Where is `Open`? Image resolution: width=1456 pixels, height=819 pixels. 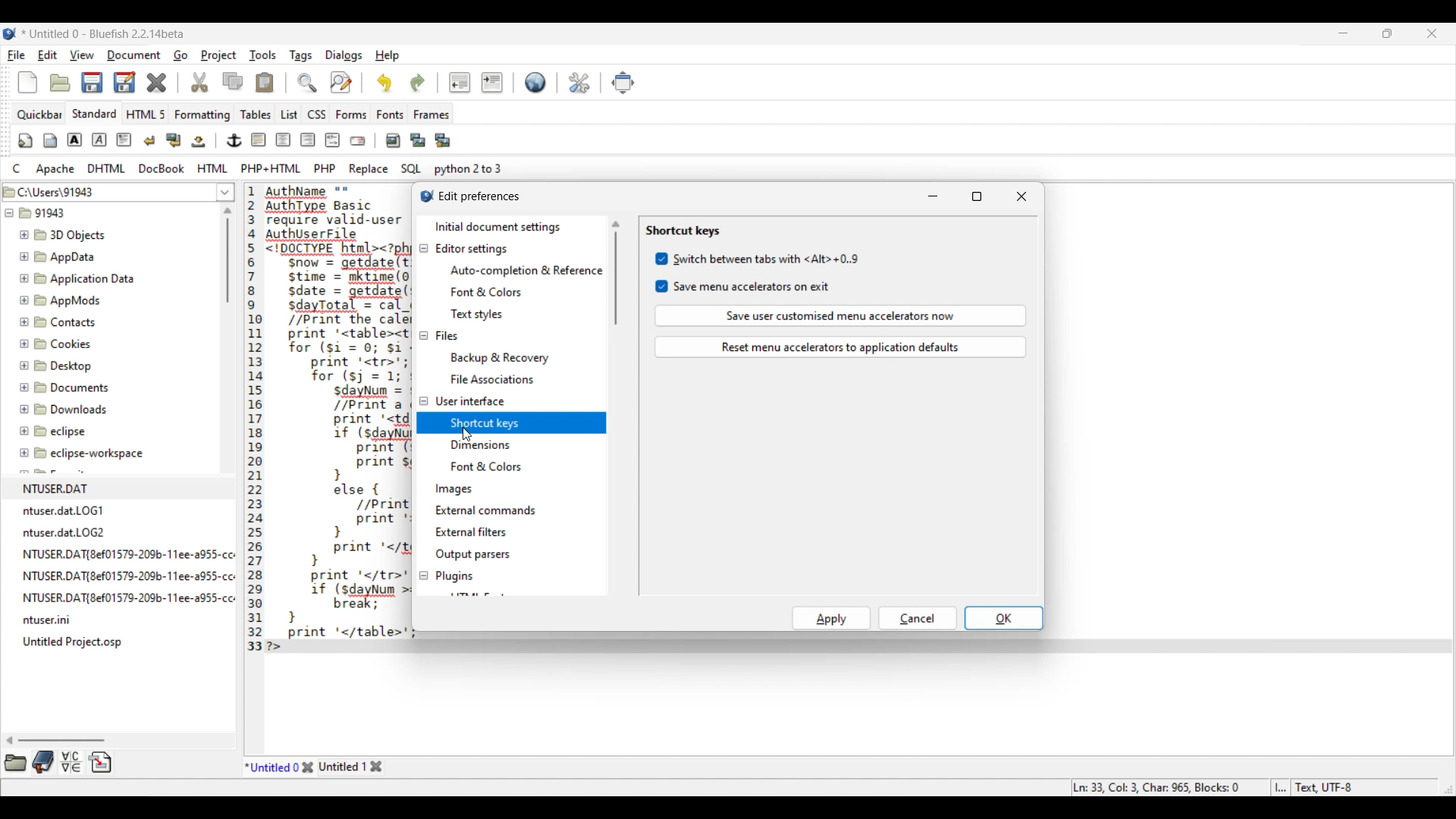
Open is located at coordinates (61, 83).